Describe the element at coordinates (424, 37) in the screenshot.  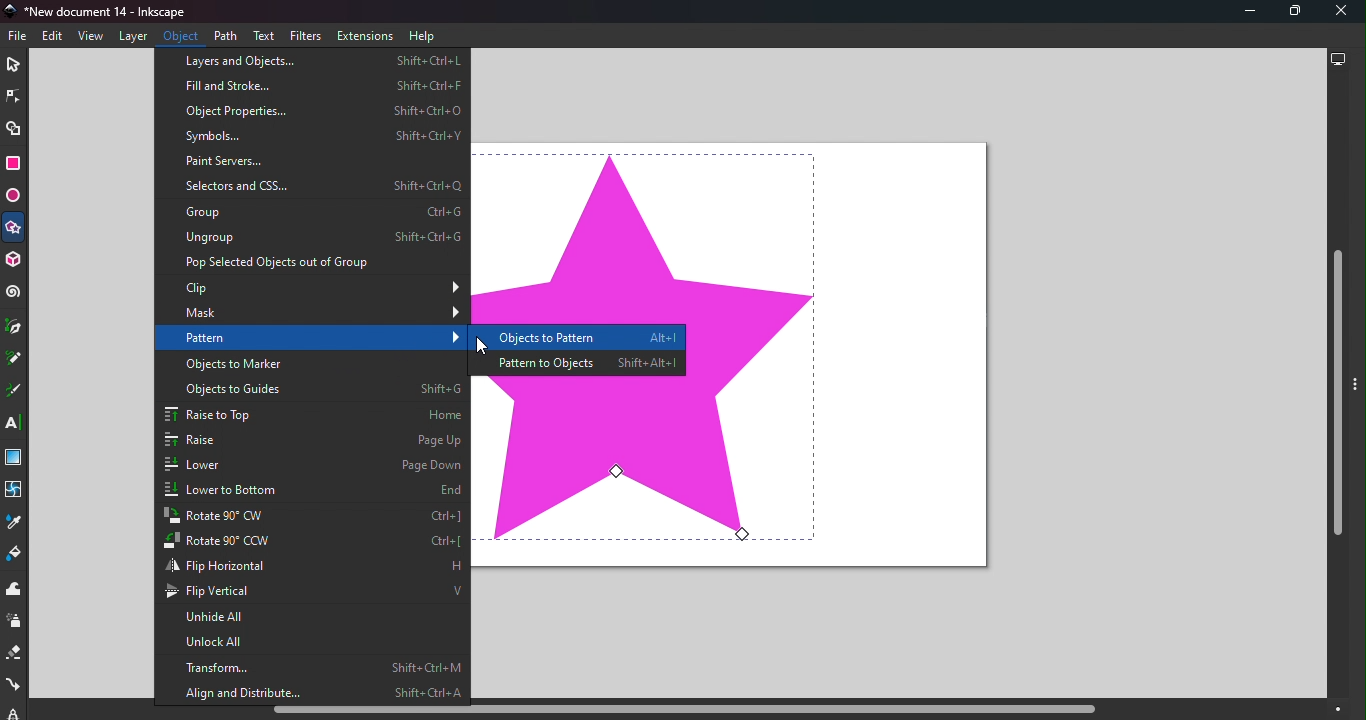
I see `Help` at that location.